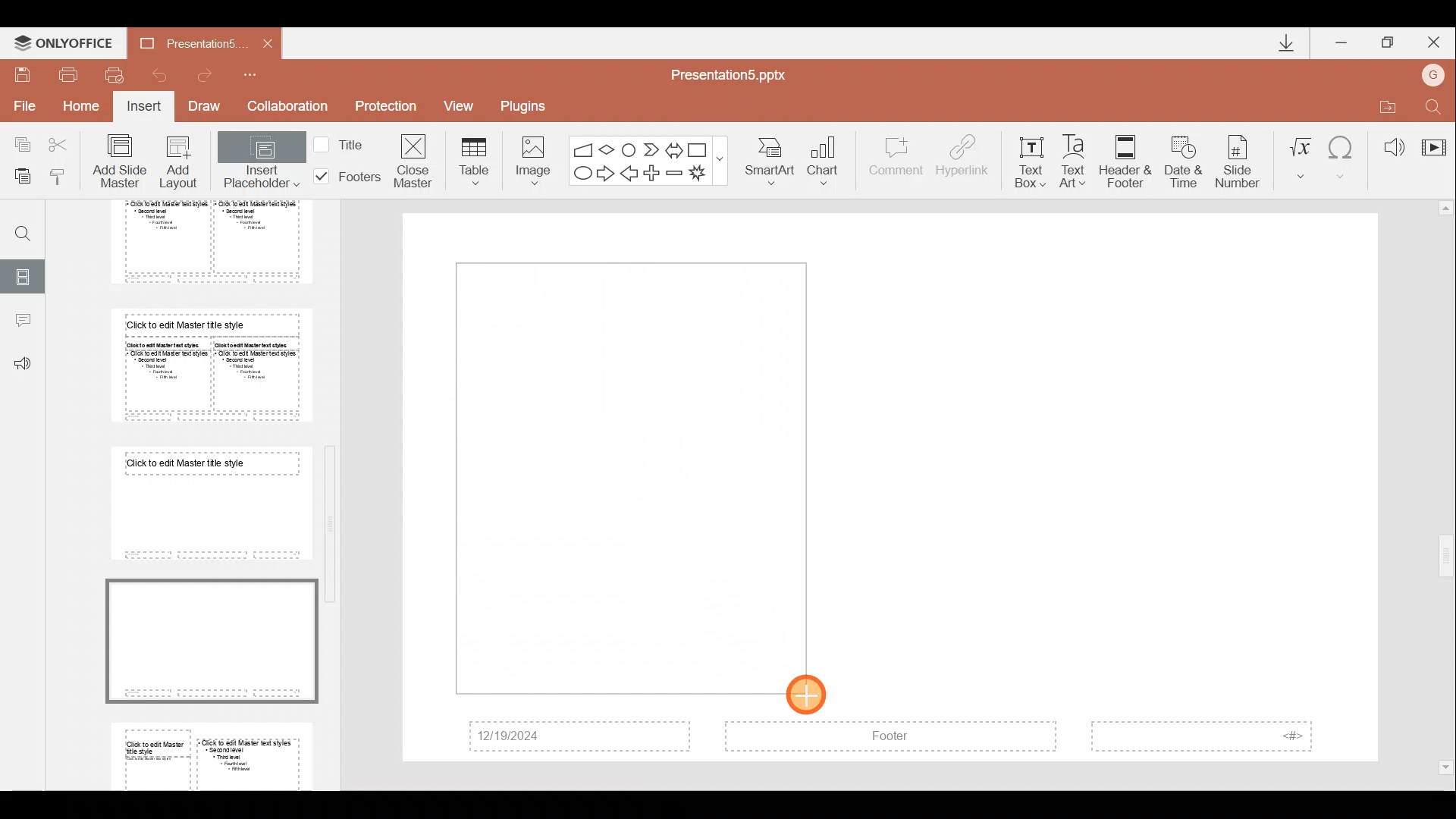  What do you see at coordinates (582, 147) in the screenshot?
I see `Flowchart - manual input` at bounding box center [582, 147].